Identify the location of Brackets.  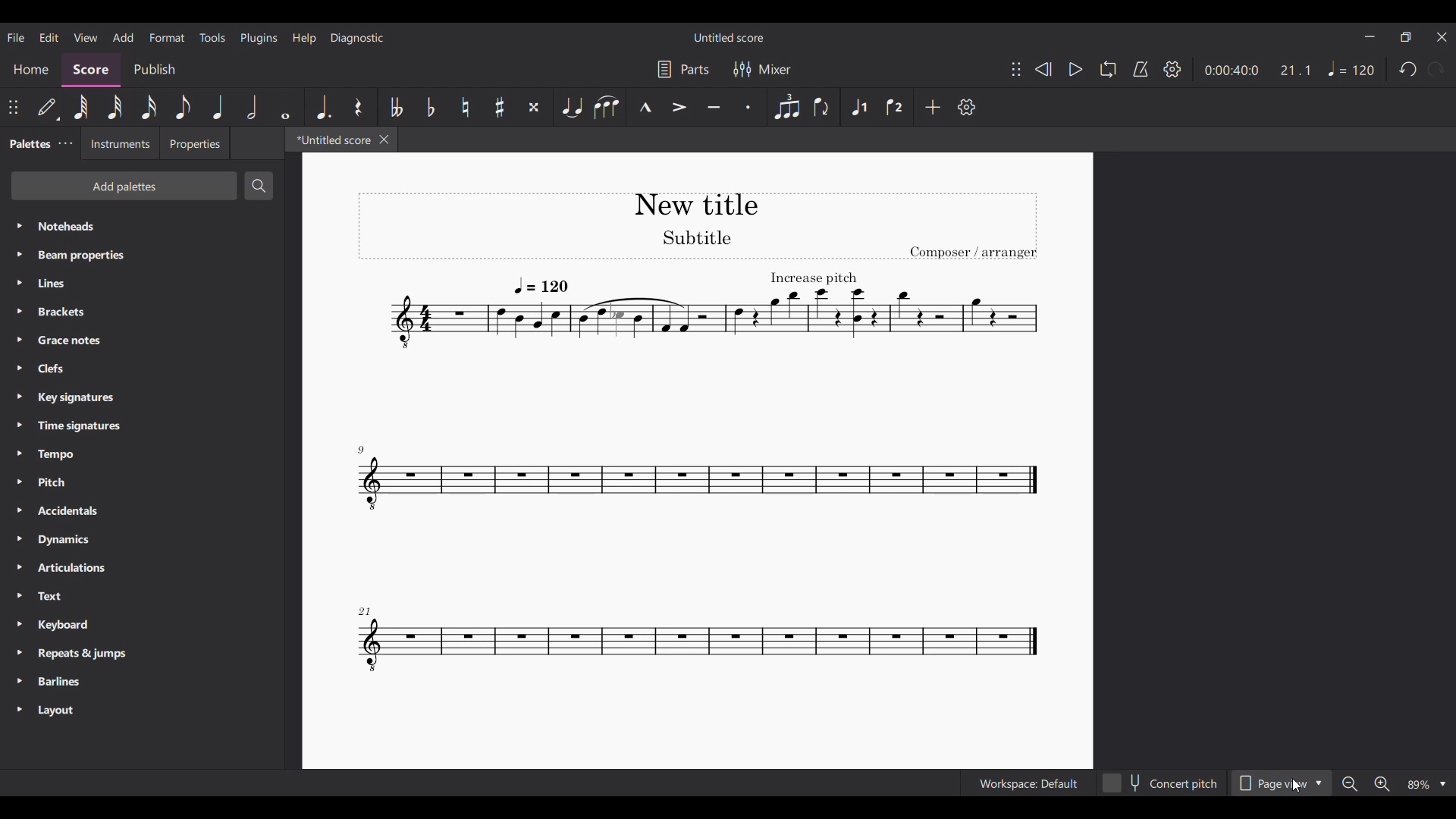
(143, 312).